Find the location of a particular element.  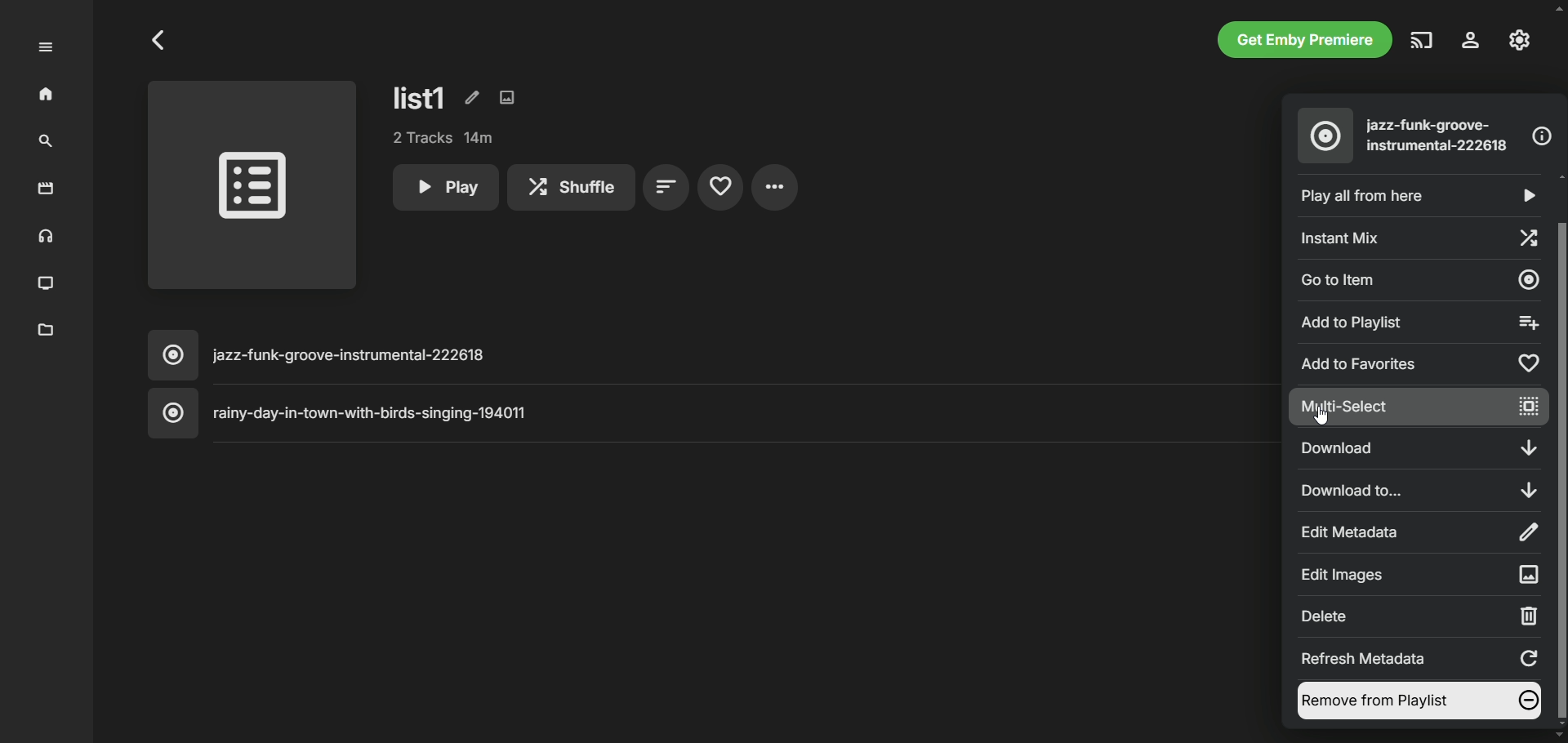

edit metadata is located at coordinates (1416, 532).